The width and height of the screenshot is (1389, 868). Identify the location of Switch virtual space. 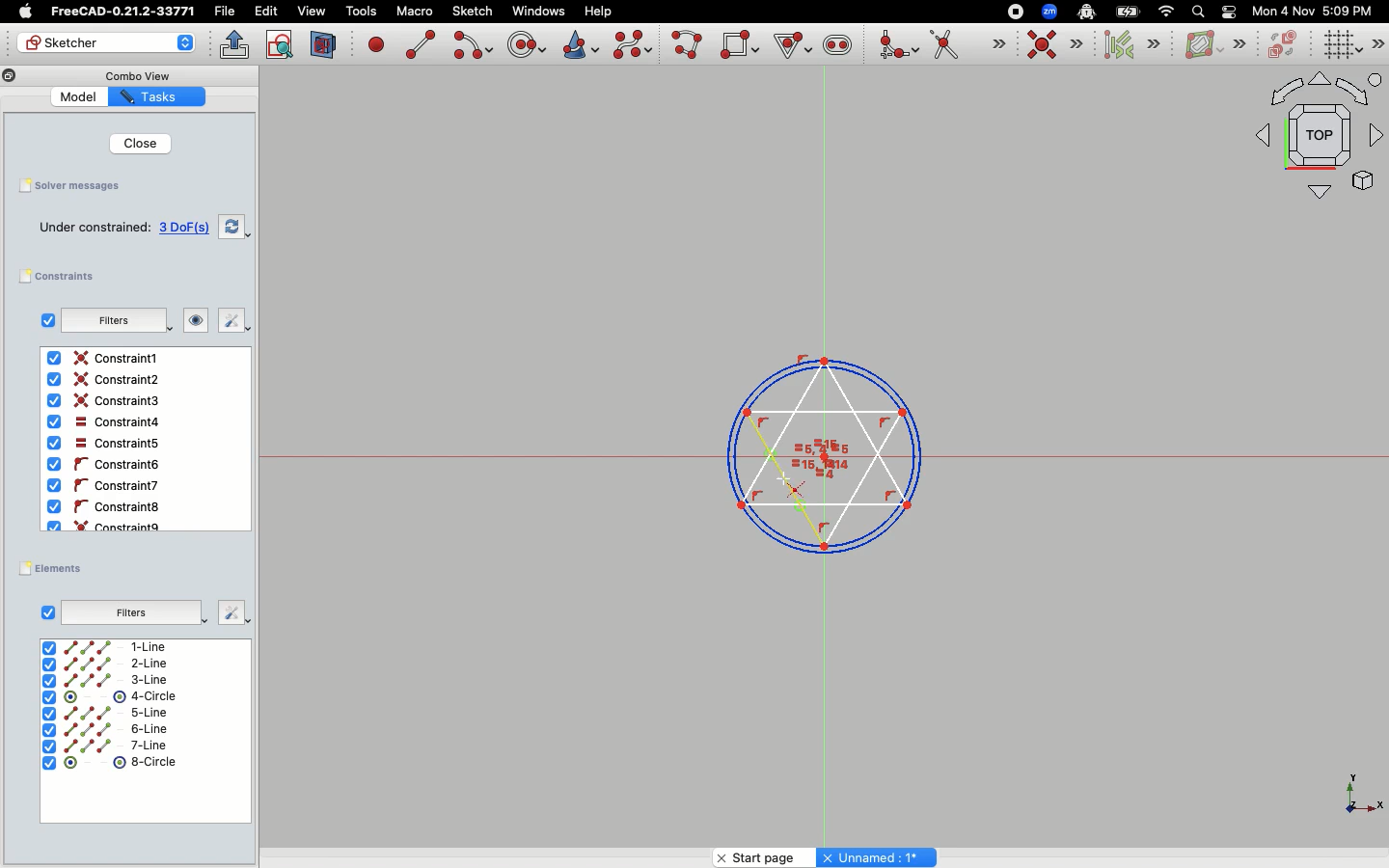
(1285, 45).